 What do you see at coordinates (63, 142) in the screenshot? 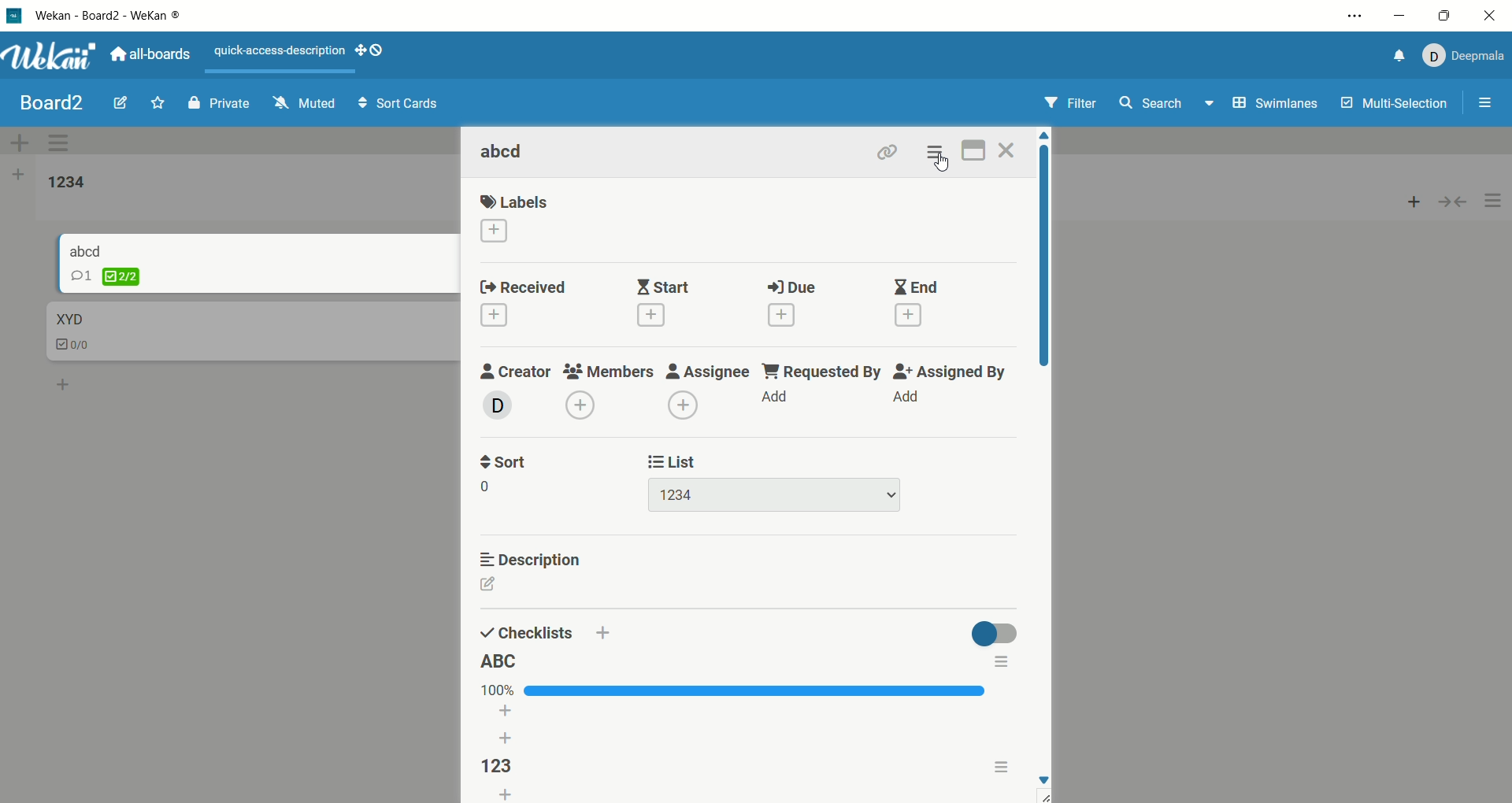
I see `swimlane actions` at bounding box center [63, 142].